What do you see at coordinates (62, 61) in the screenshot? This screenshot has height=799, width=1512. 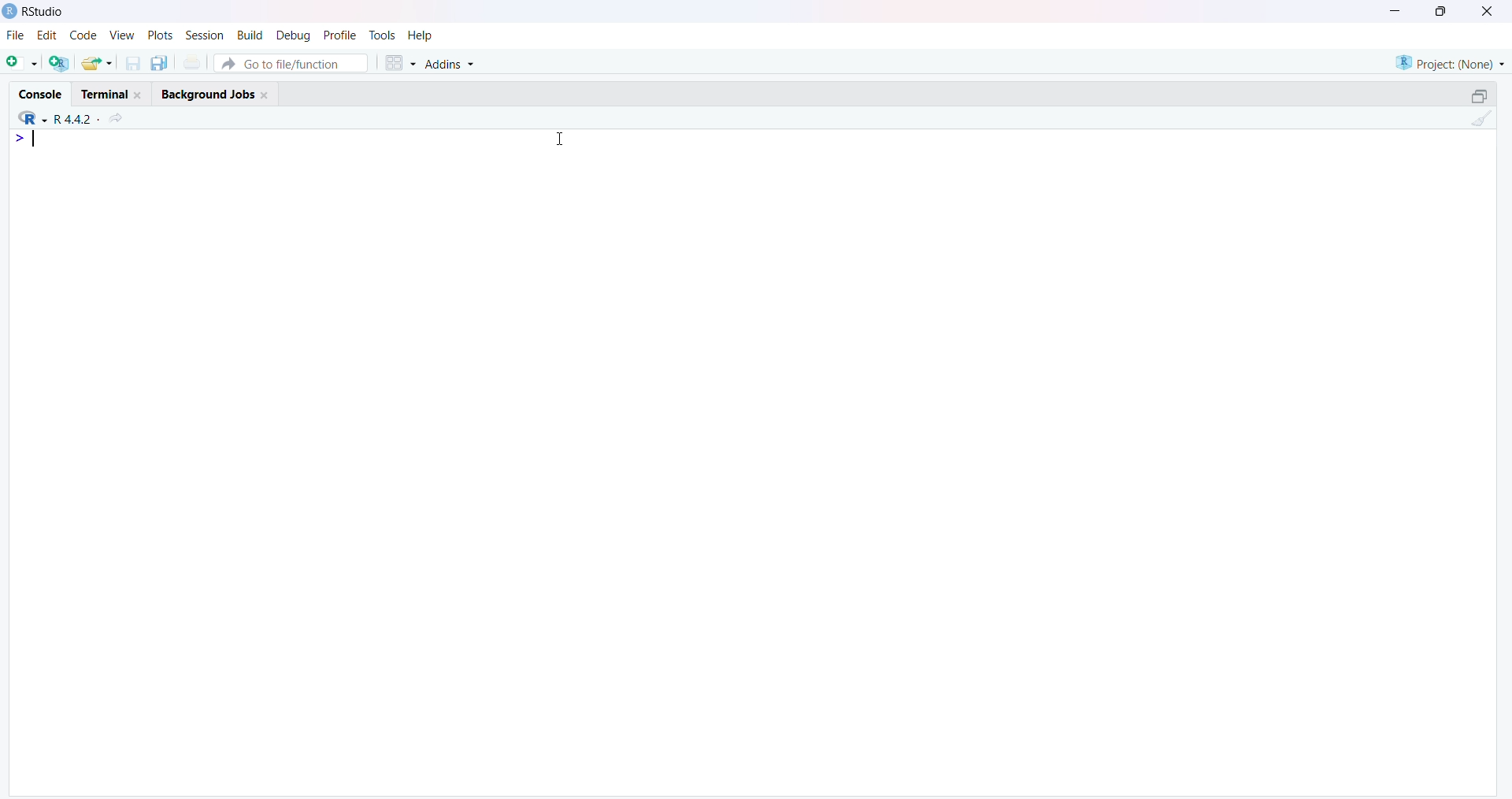 I see `Create a project` at bounding box center [62, 61].